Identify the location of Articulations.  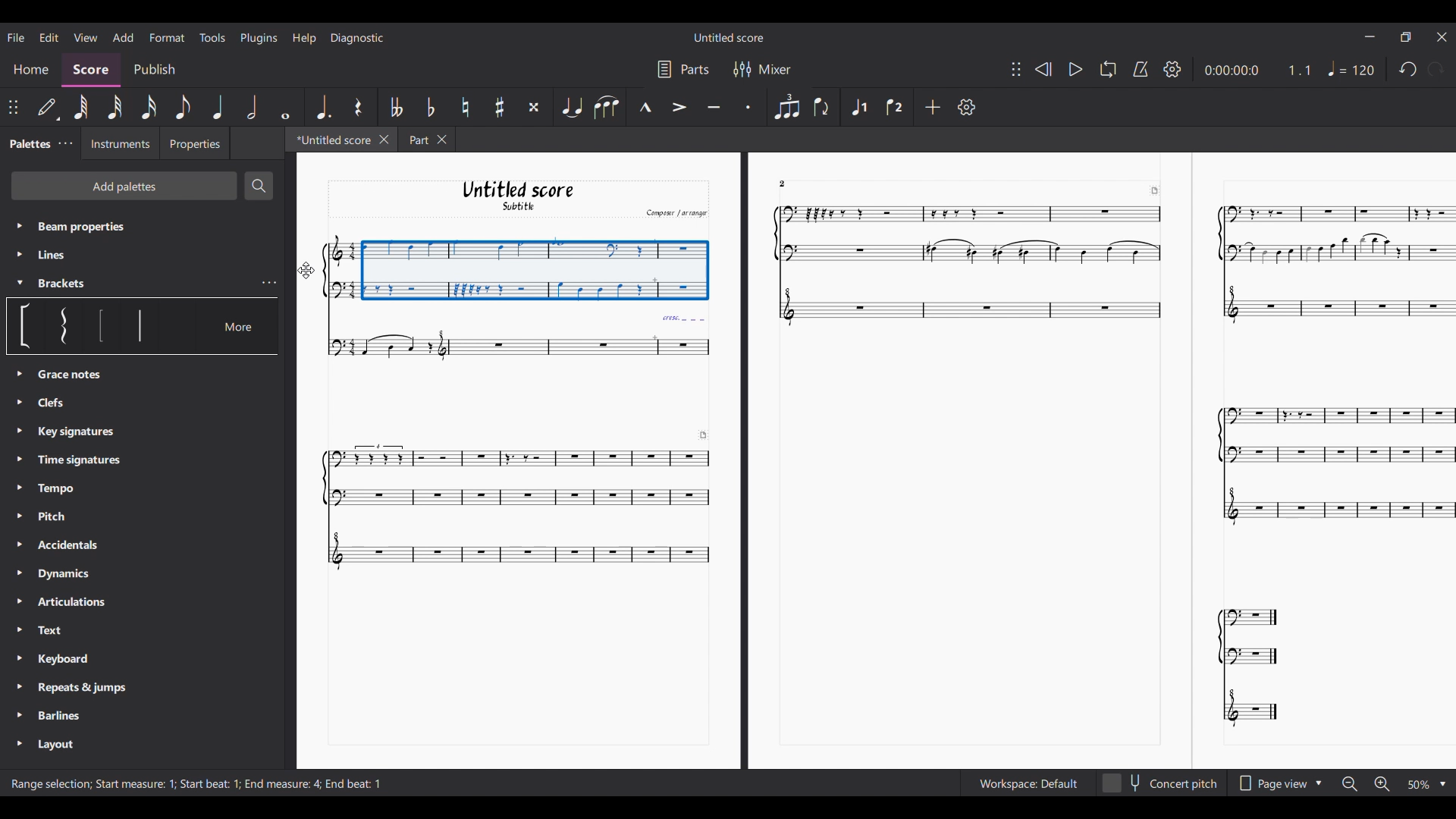
(77, 600).